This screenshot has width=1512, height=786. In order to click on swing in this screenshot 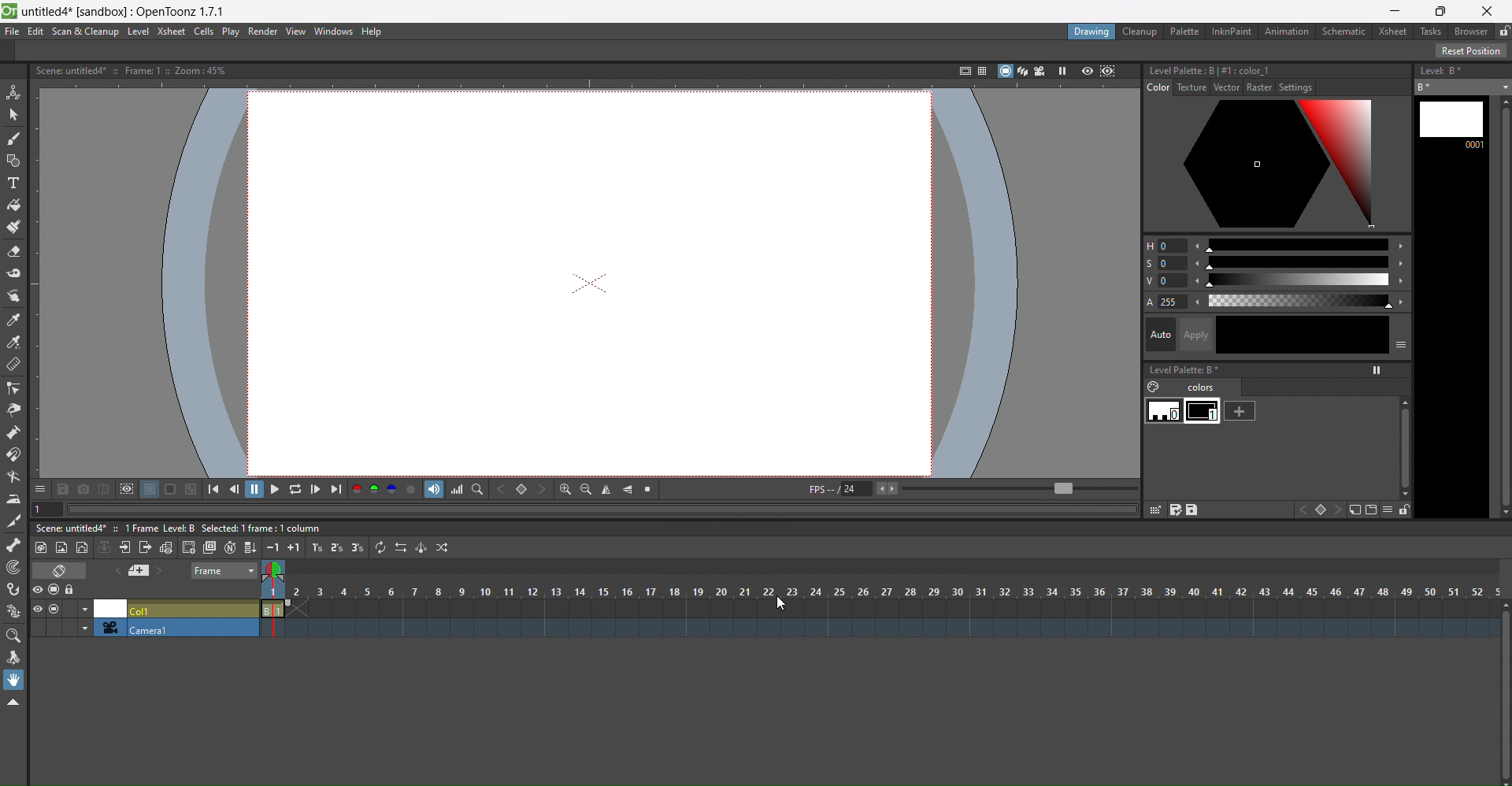, I will do `click(421, 547)`.